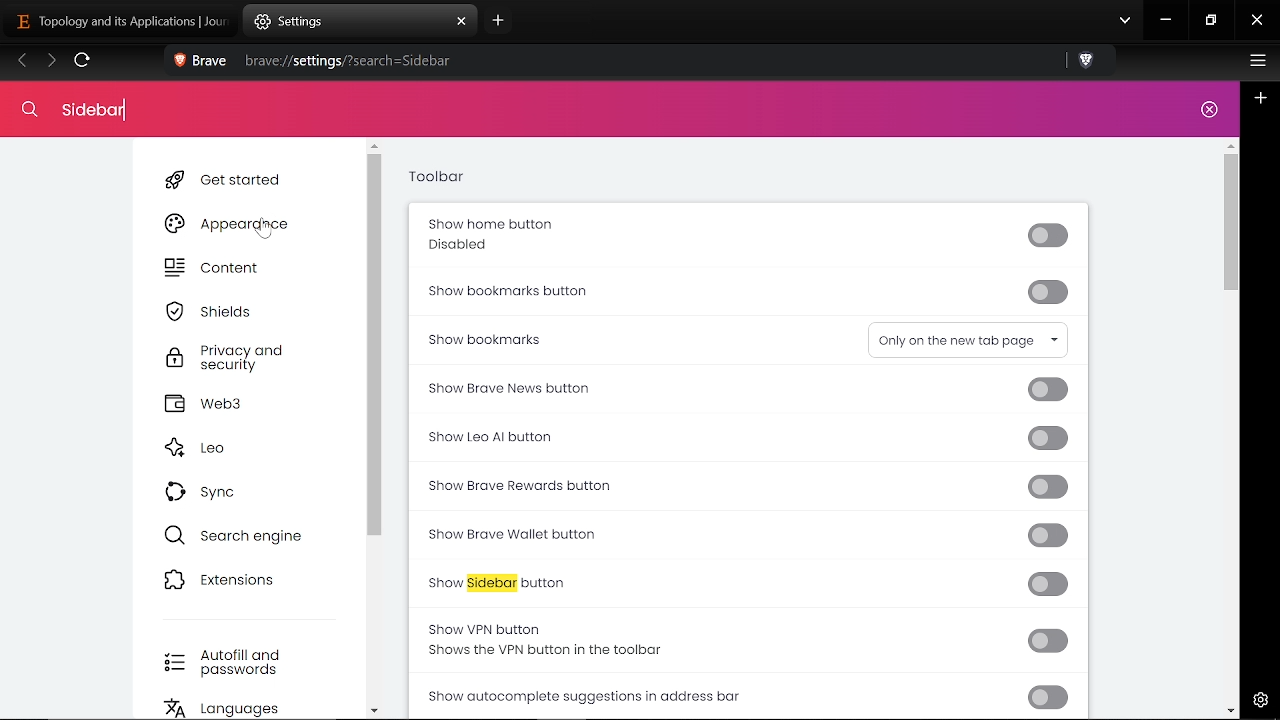  I want to click on Privacy and security, so click(230, 359).